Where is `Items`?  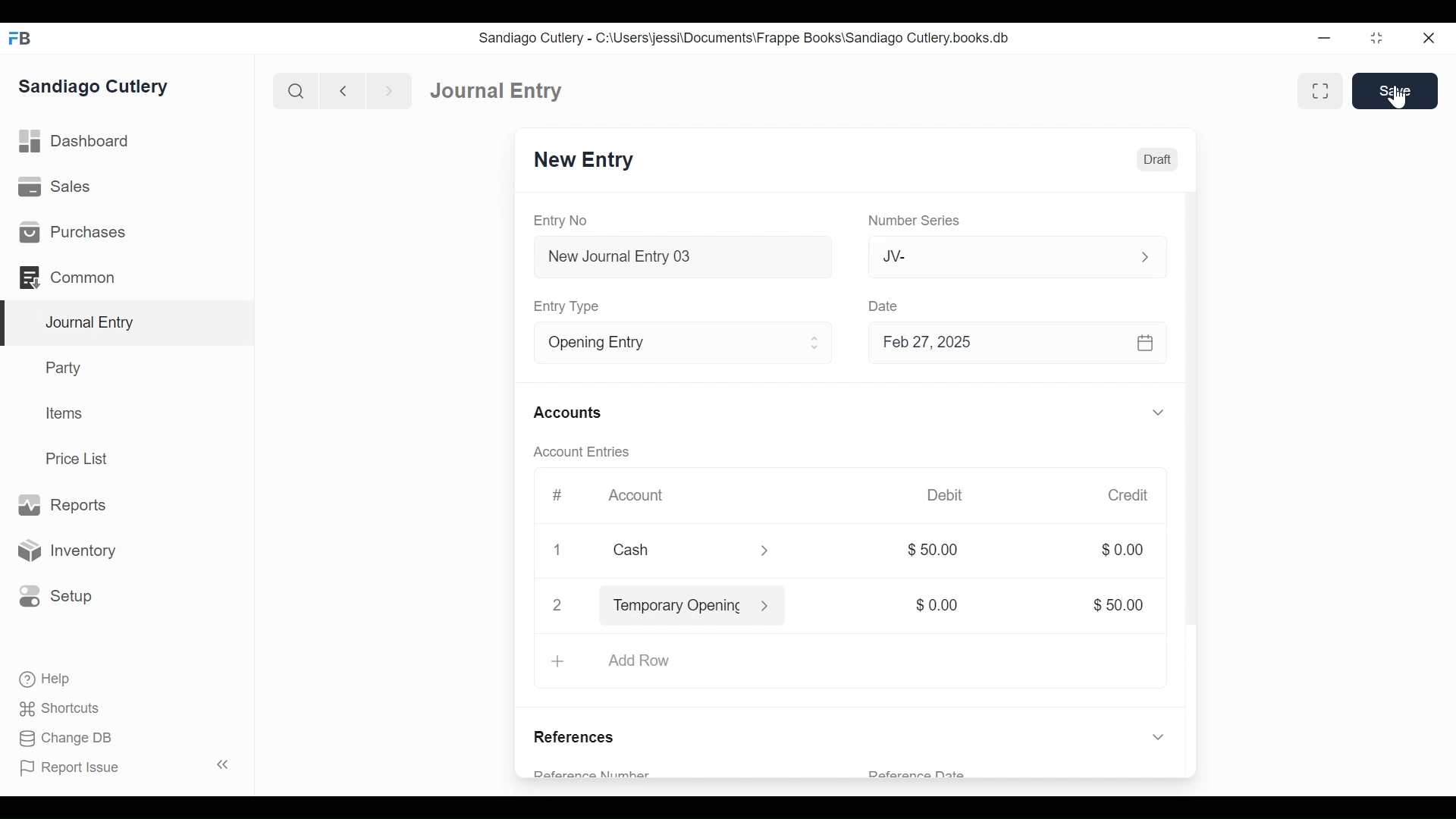
Items is located at coordinates (62, 413).